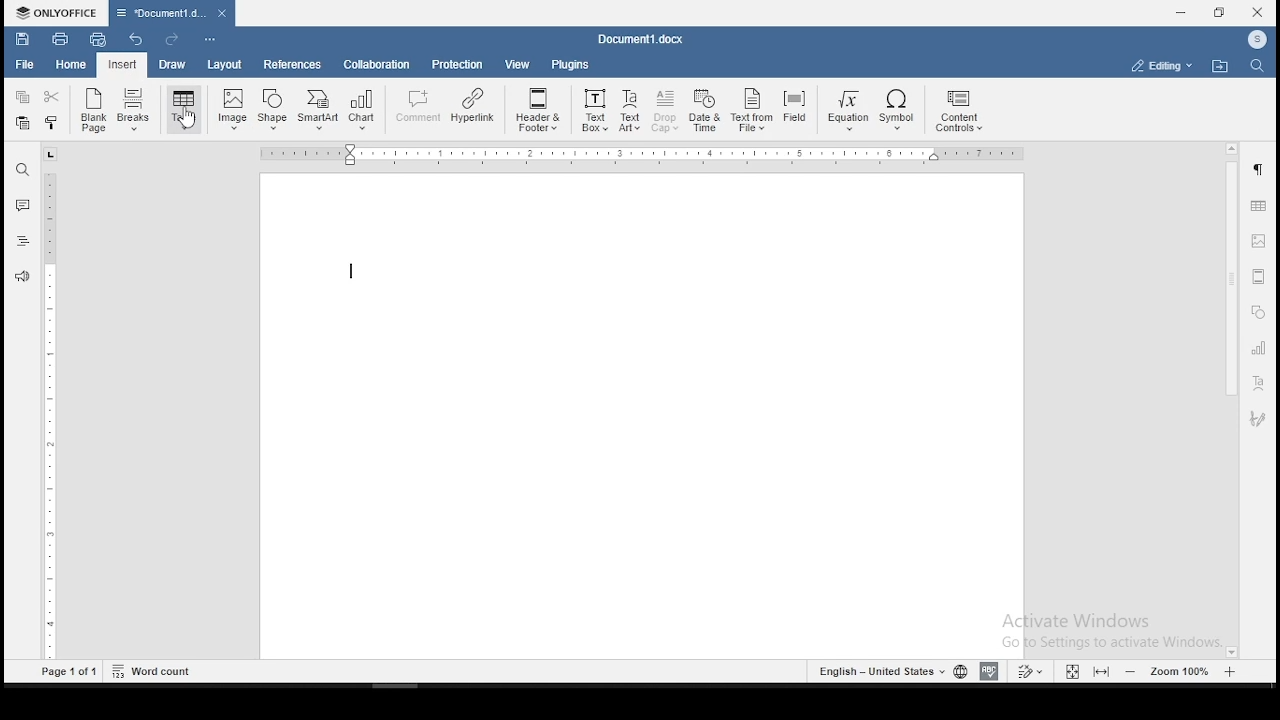 The width and height of the screenshot is (1280, 720). What do you see at coordinates (291, 65) in the screenshot?
I see `references` at bounding box center [291, 65].